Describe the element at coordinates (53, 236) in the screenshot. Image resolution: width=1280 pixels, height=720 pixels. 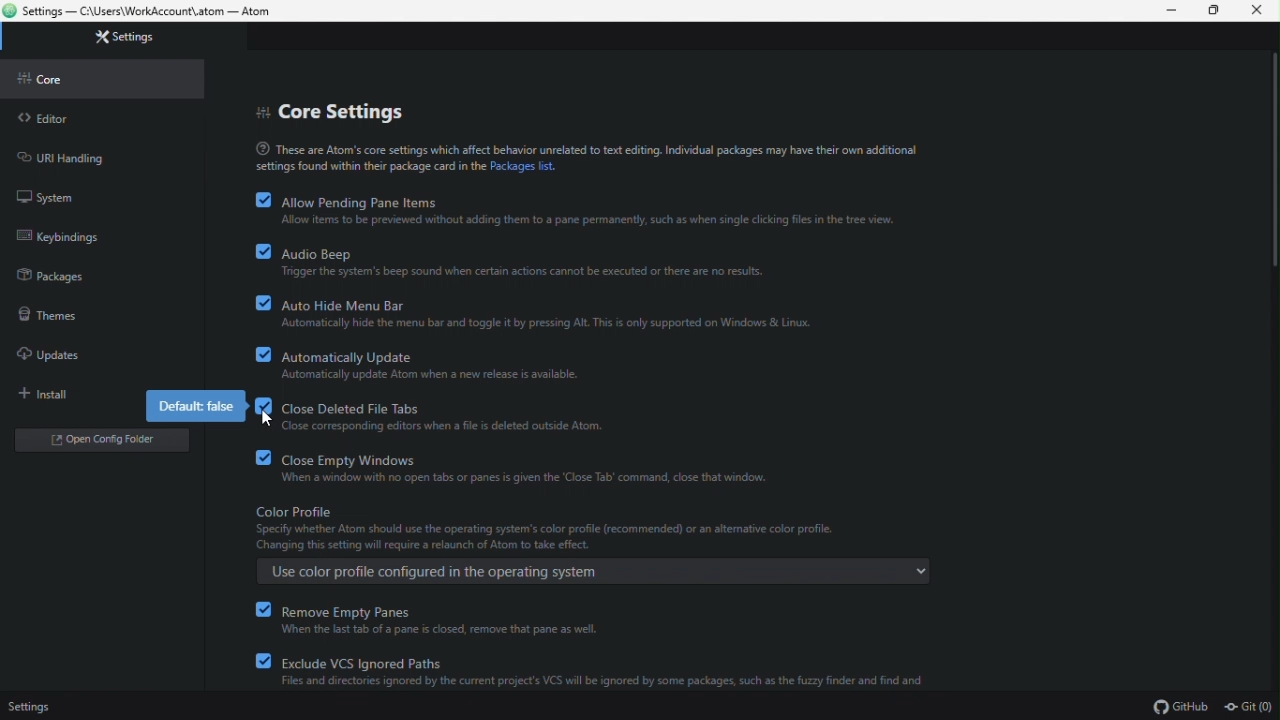
I see `keybinding` at that location.